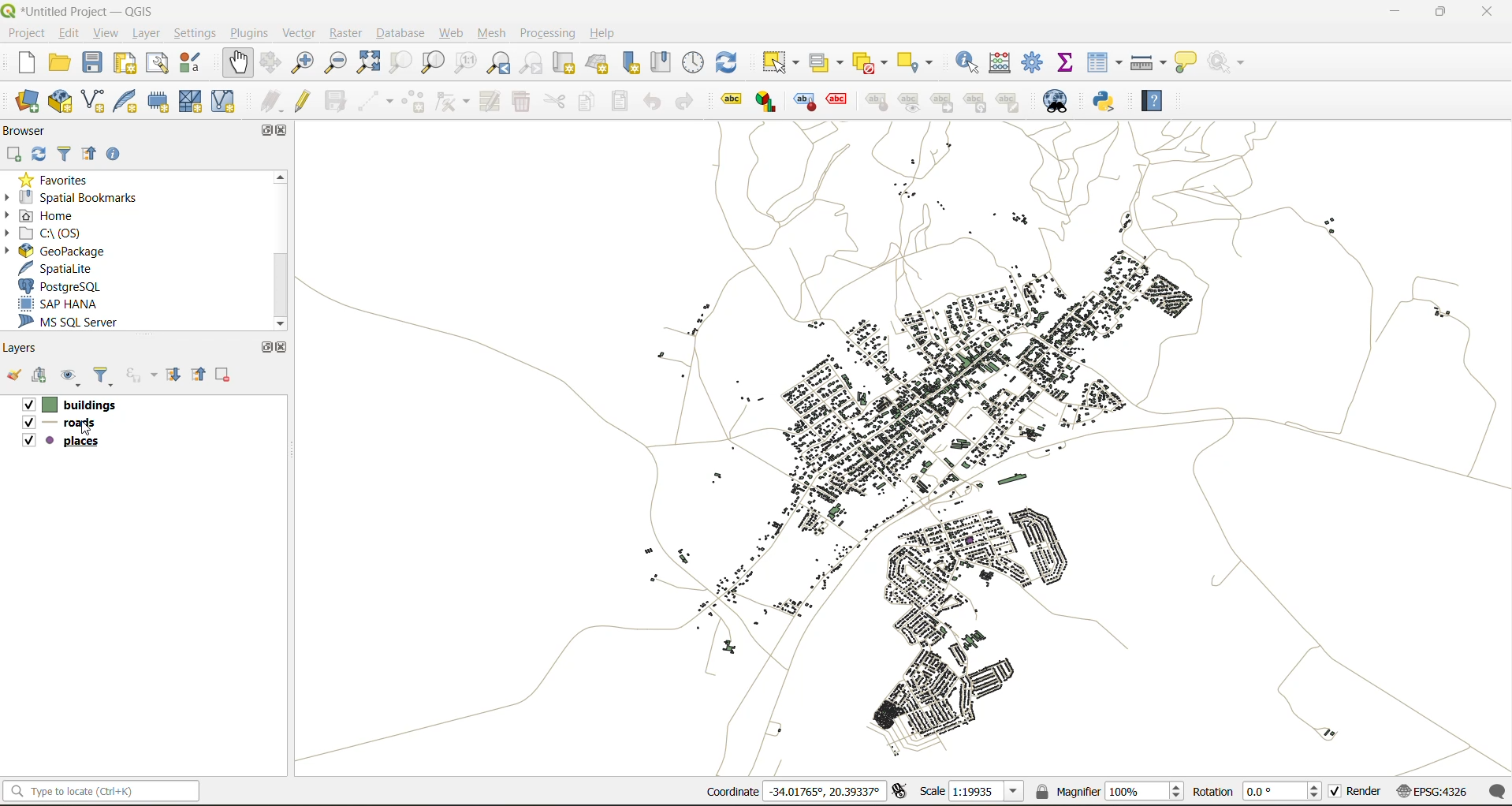 This screenshot has width=1512, height=806. What do you see at coordinates (1067, 62) in the screenshot?
I see `statistical summary` at bounding box center [1067, 62].